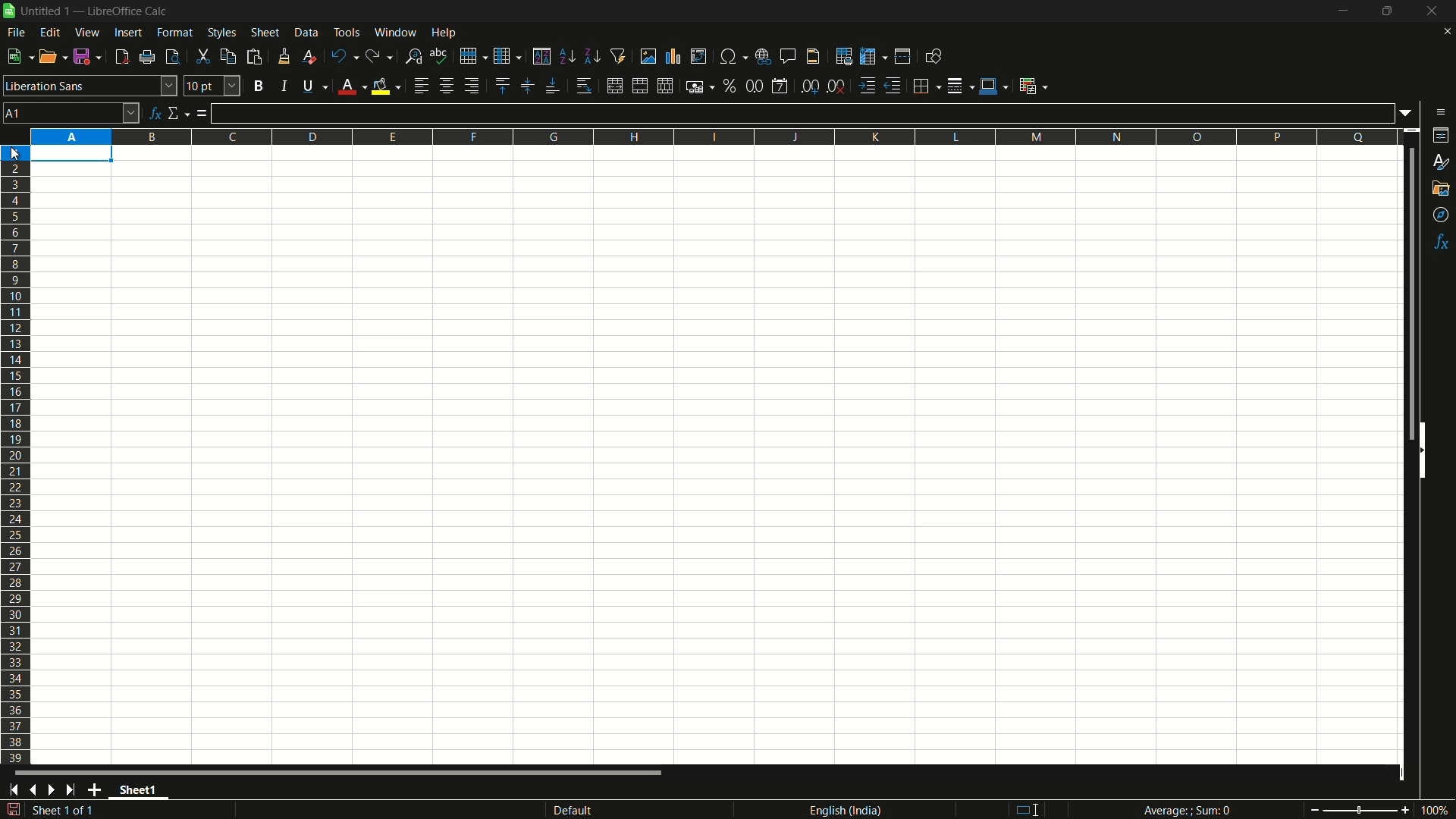 The image size is (1456, 819). I want to click on functions, so click(1442, 242).